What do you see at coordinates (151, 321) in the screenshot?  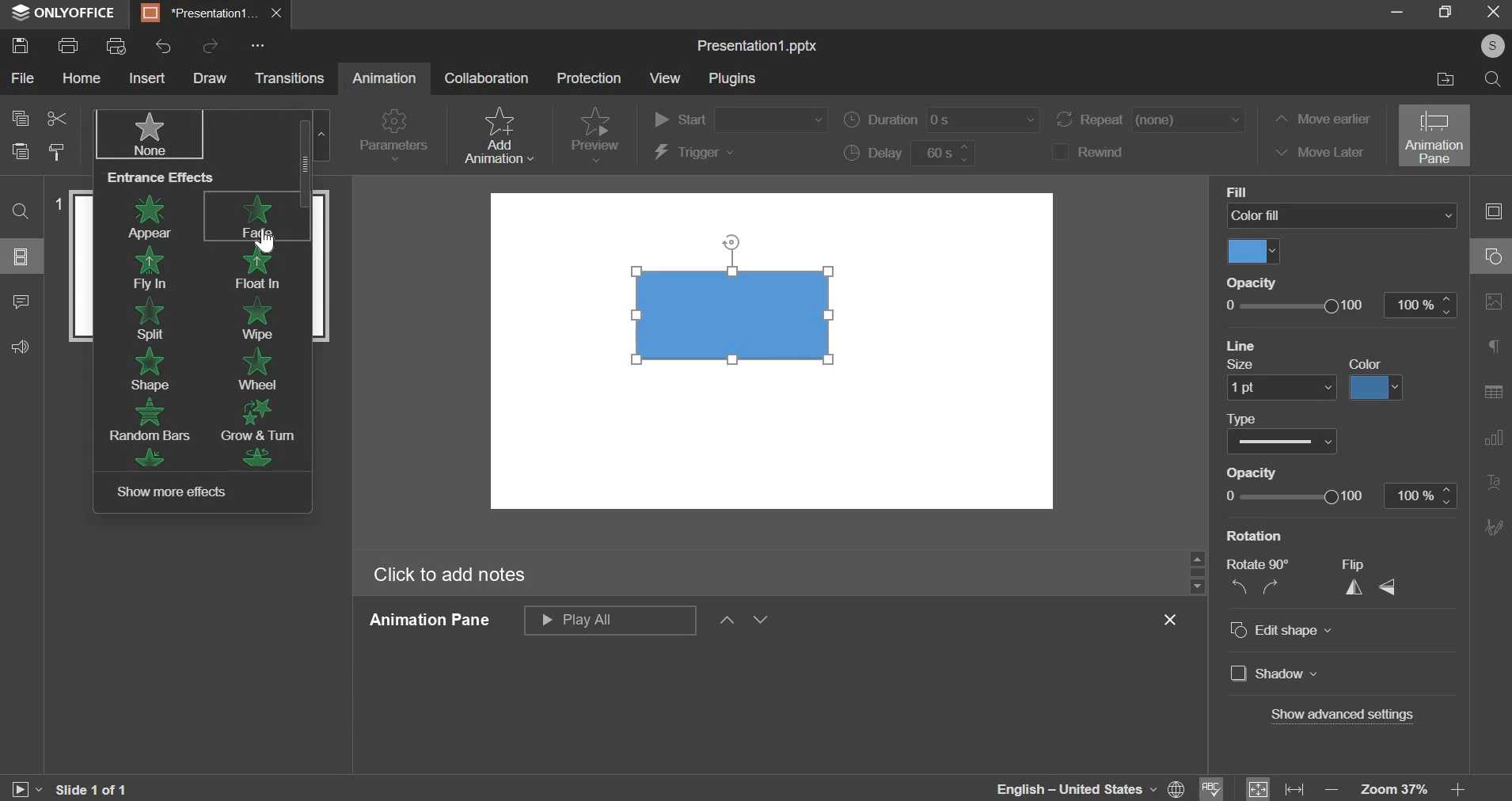 I see `split` at bounding box center [151, 321].